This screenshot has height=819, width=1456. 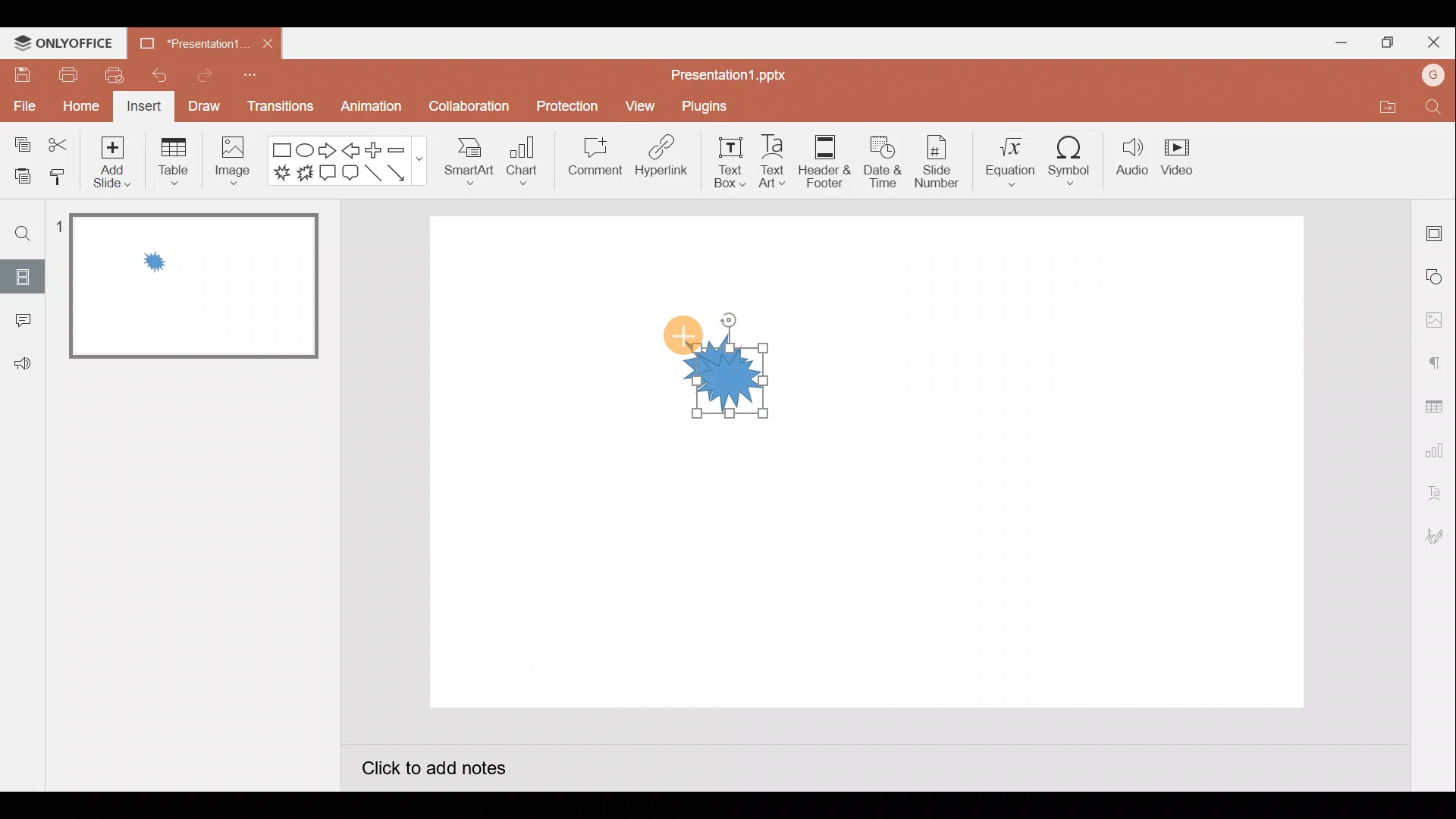 What do you see at coordinates (352, 149) in the screenshot?
I see `Left arrow` at bounding box center [352, 149].